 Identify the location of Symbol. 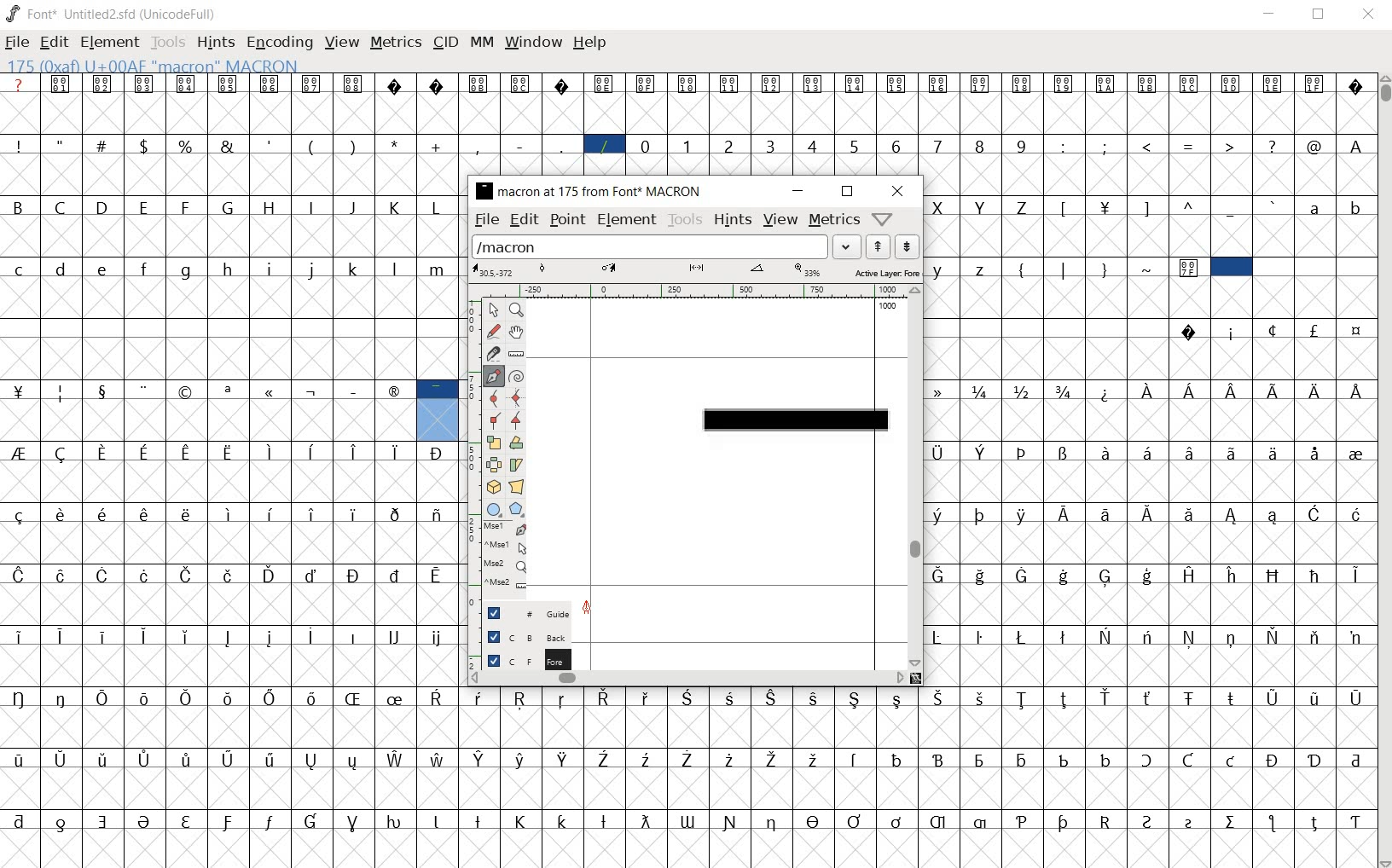
(1022, 83).